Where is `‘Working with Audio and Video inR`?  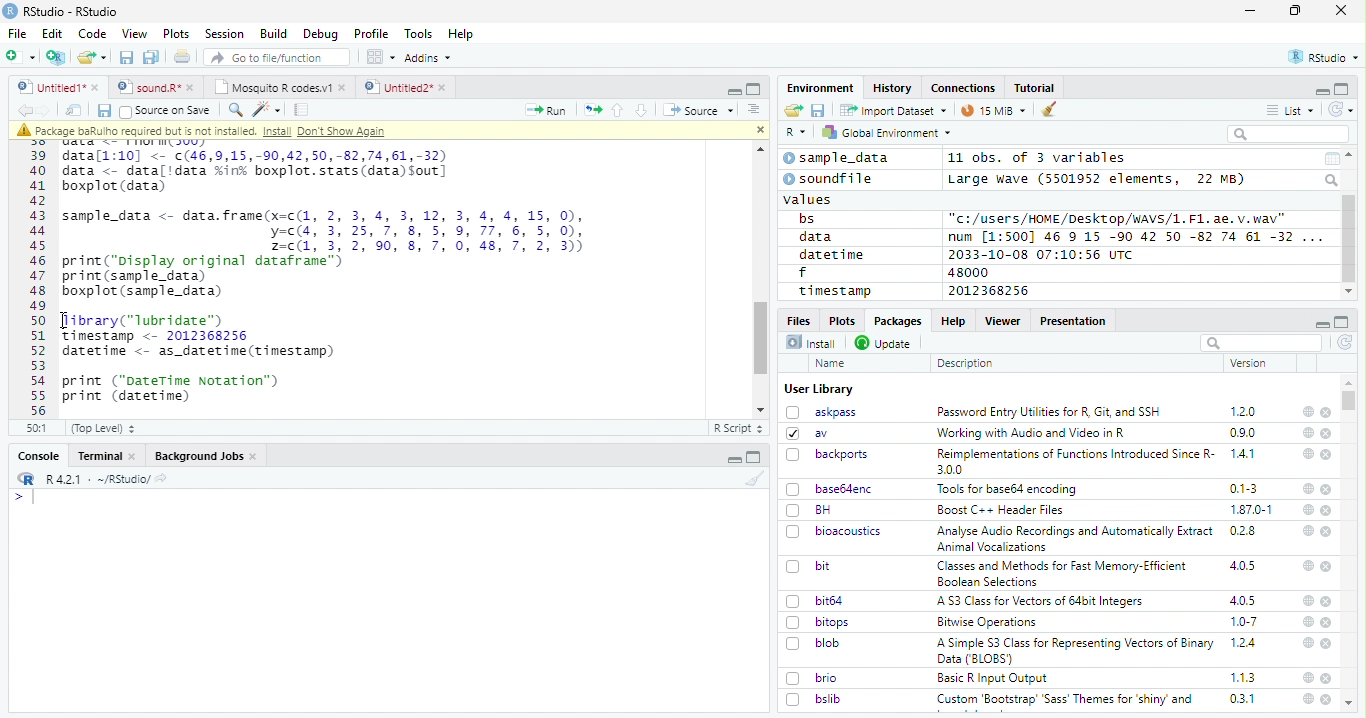
‘Working with Audio and Video inR is located at coordinates (1033, 433).